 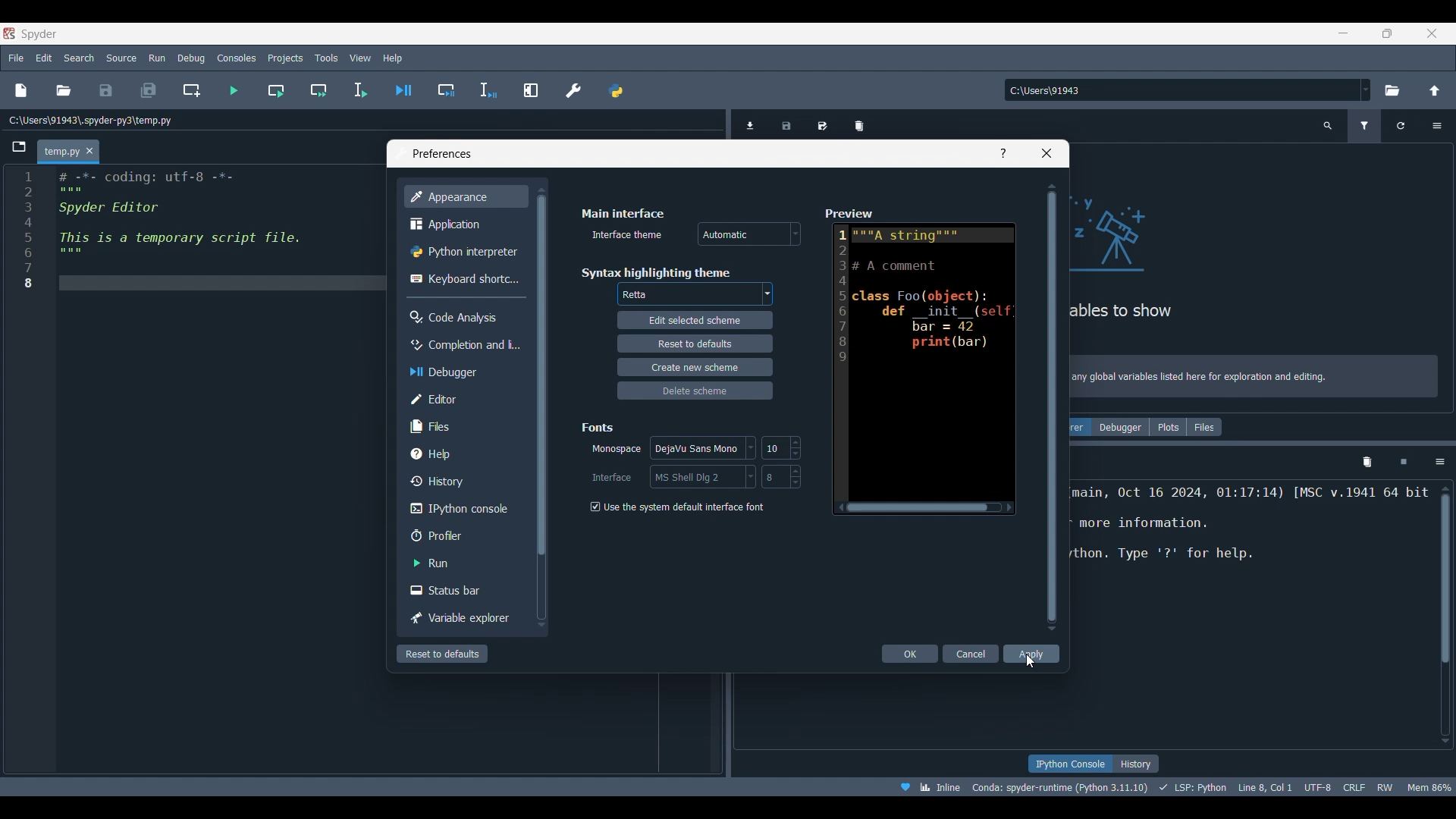 What do you see at coordinates (237, 57) in the screenshot?
I see `Consoles menu` at bounding box center [237, 57].